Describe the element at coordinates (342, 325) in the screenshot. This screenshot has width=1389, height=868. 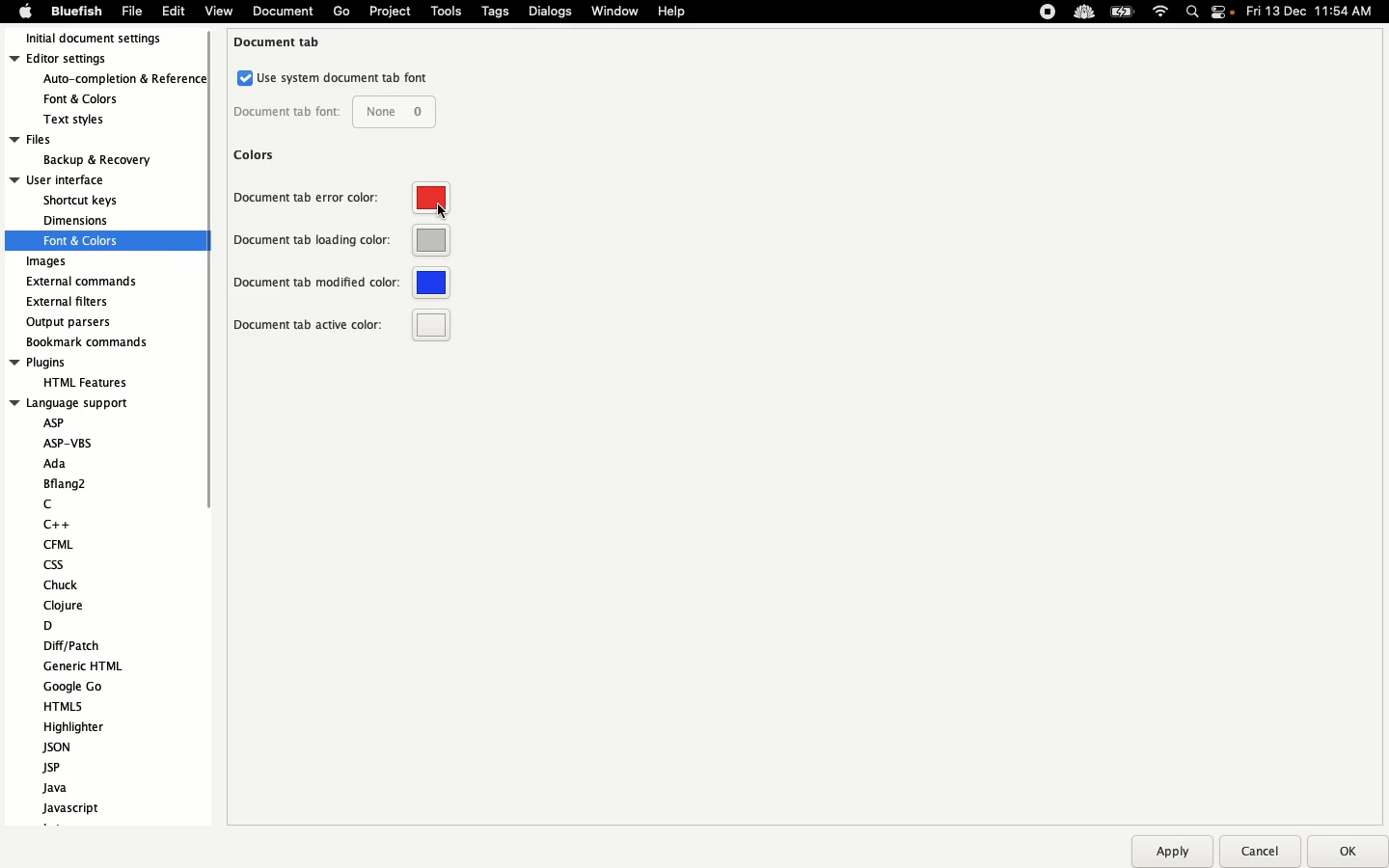
I see `Document tab active color` at that location.